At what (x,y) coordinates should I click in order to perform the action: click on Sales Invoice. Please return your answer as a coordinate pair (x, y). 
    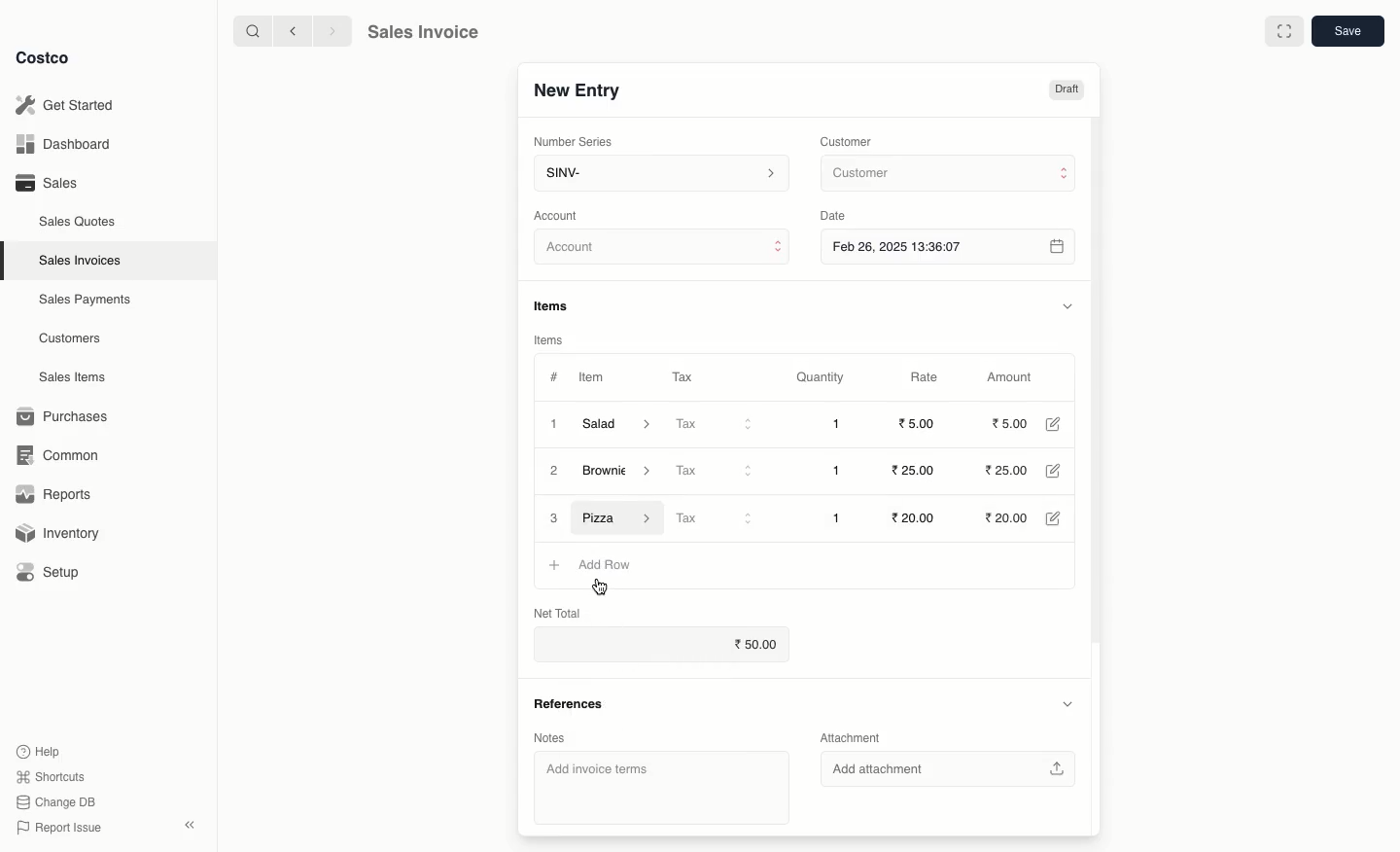
    Looking at the image, I should click on (423, 34).